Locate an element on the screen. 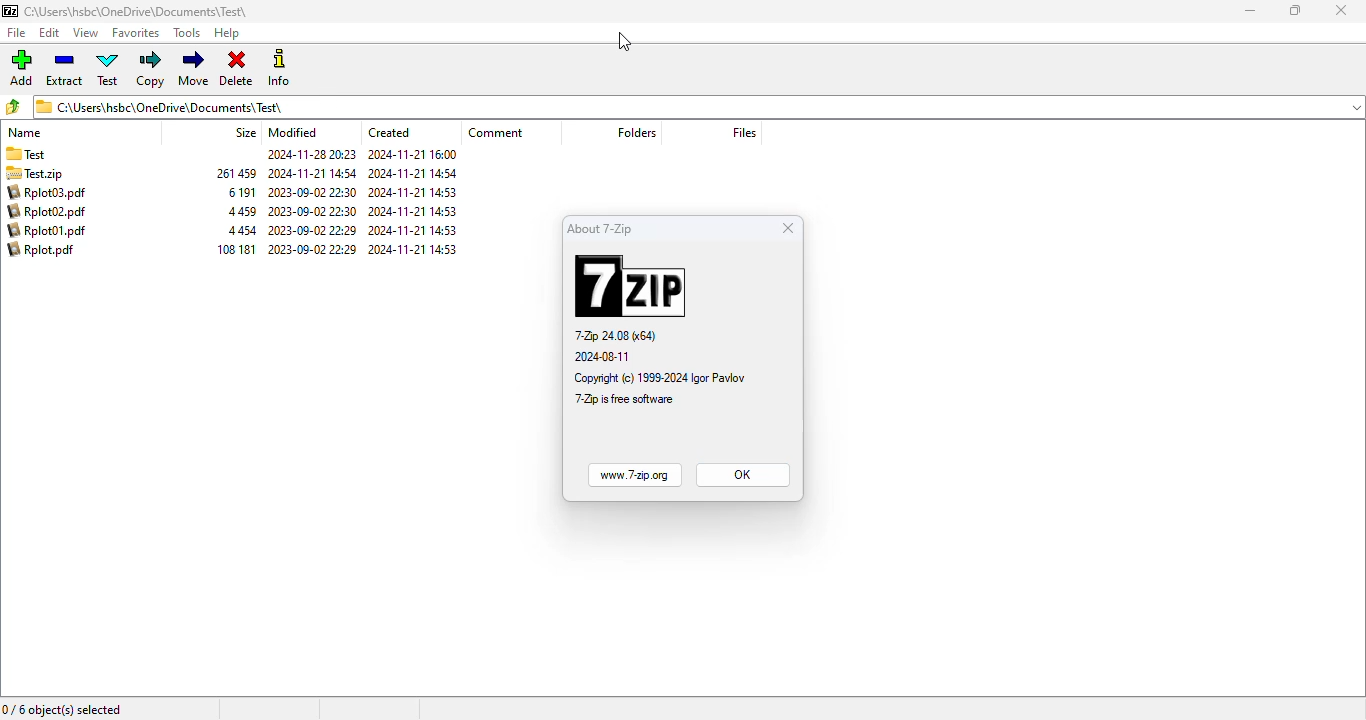 The height and width of the screenshot is (720, 1366). close is located at coordinates (1341, 10).